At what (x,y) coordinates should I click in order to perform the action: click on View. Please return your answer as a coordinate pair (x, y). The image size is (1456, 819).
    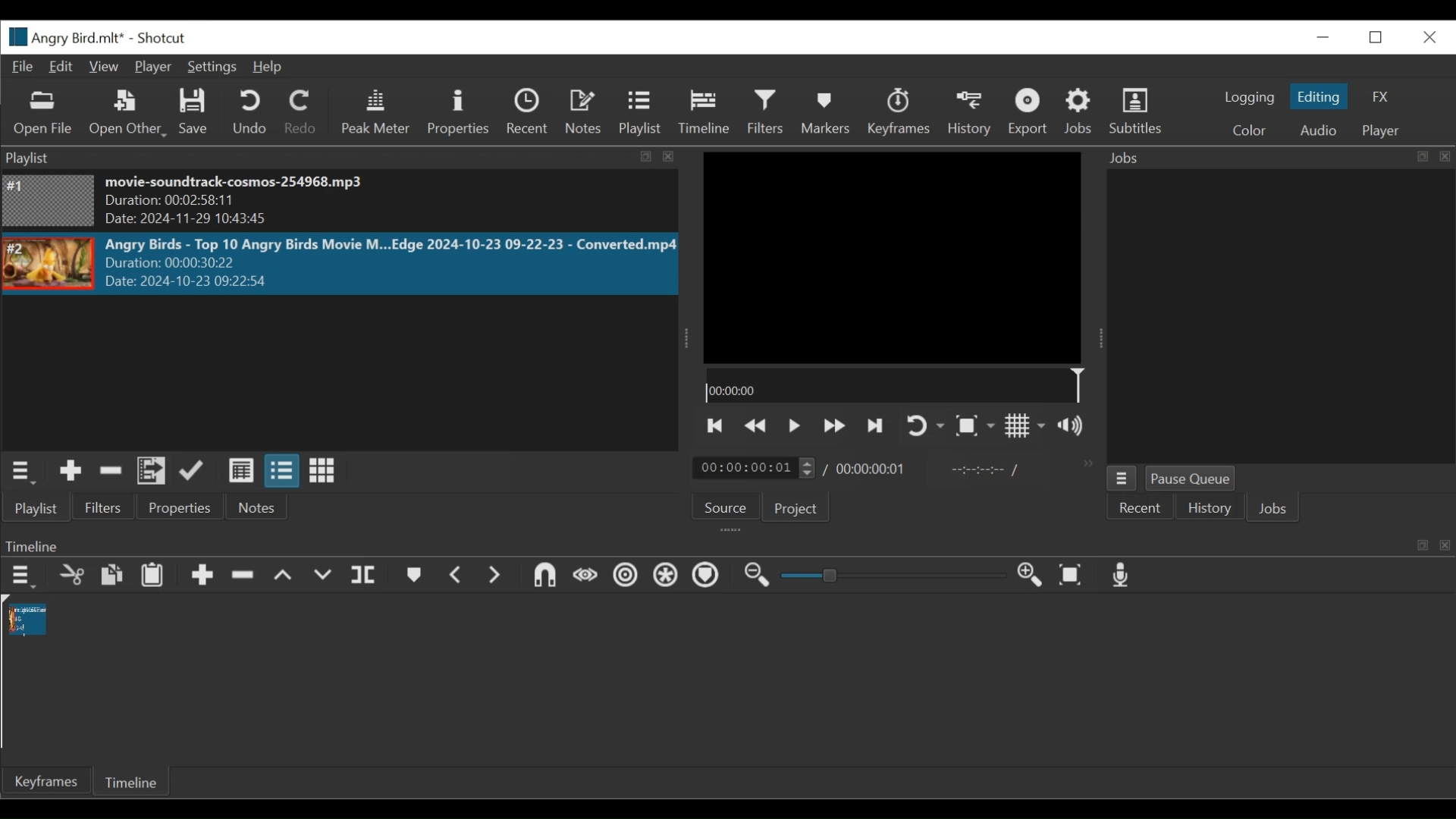
    Looking at the image, I should click on (104, 66).